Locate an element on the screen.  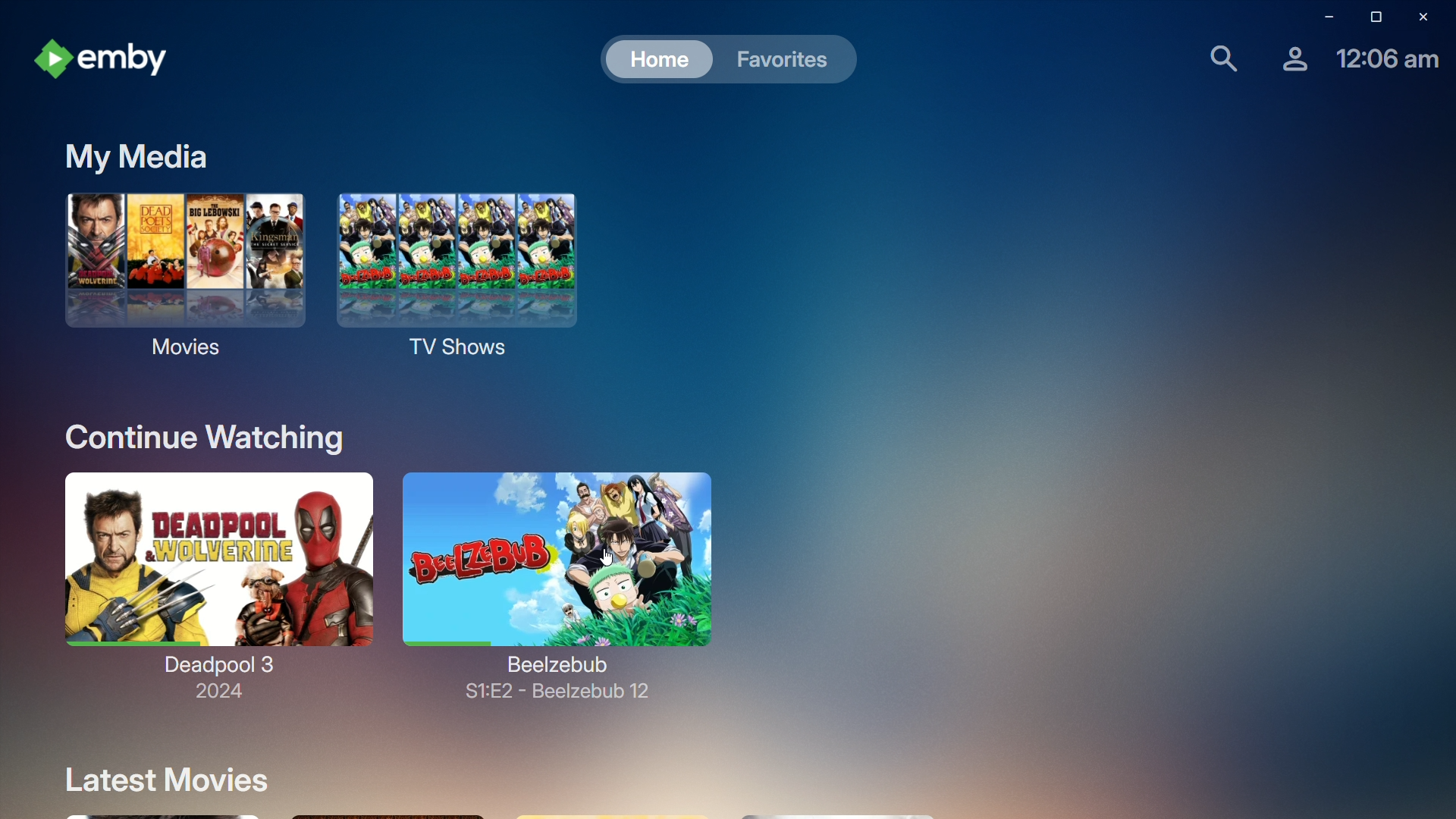
2024 is located at coordinates (216, 691).